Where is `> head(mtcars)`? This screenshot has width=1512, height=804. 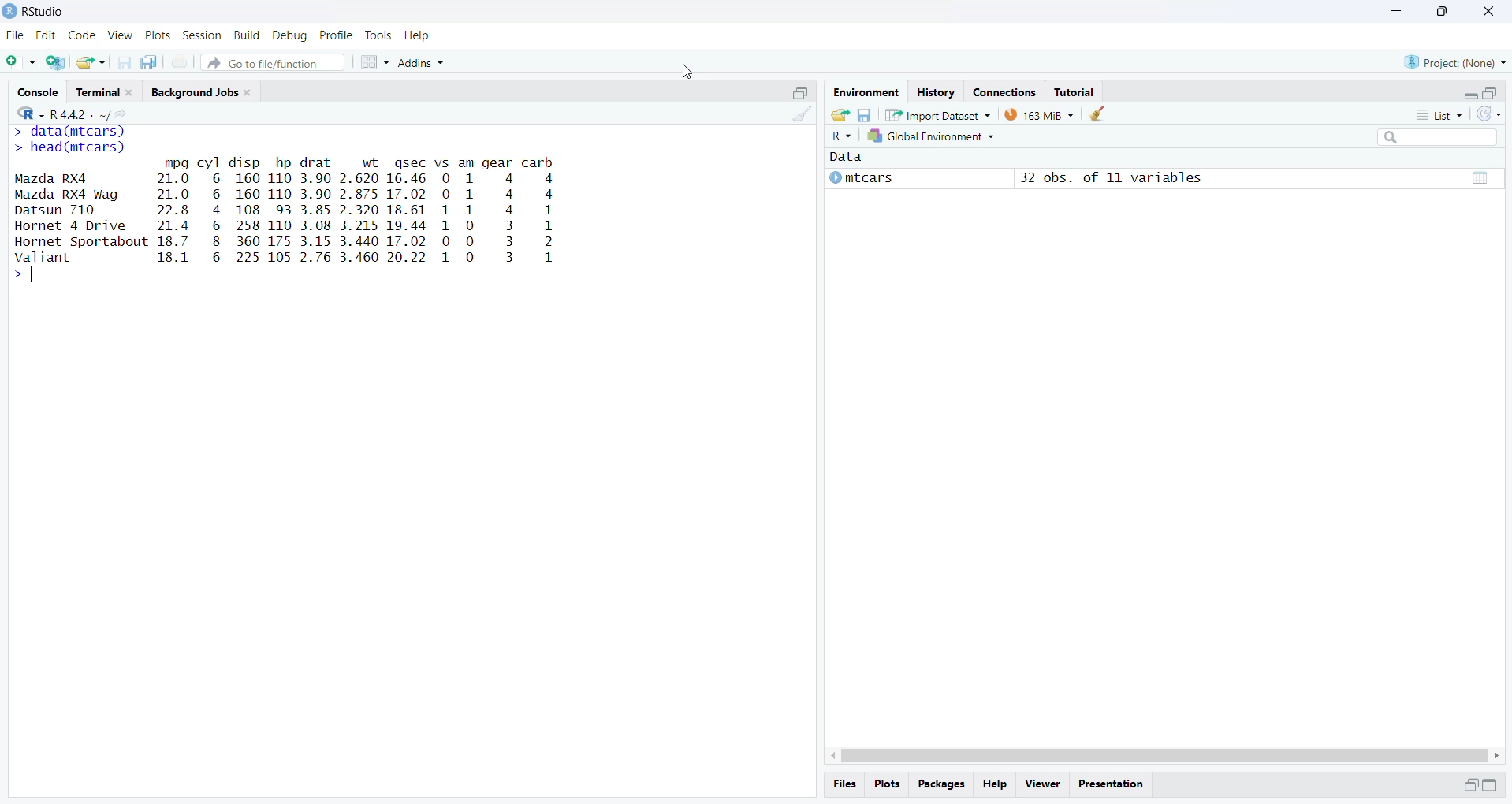 > head(mtcars) is located at coordinates (69, 148).